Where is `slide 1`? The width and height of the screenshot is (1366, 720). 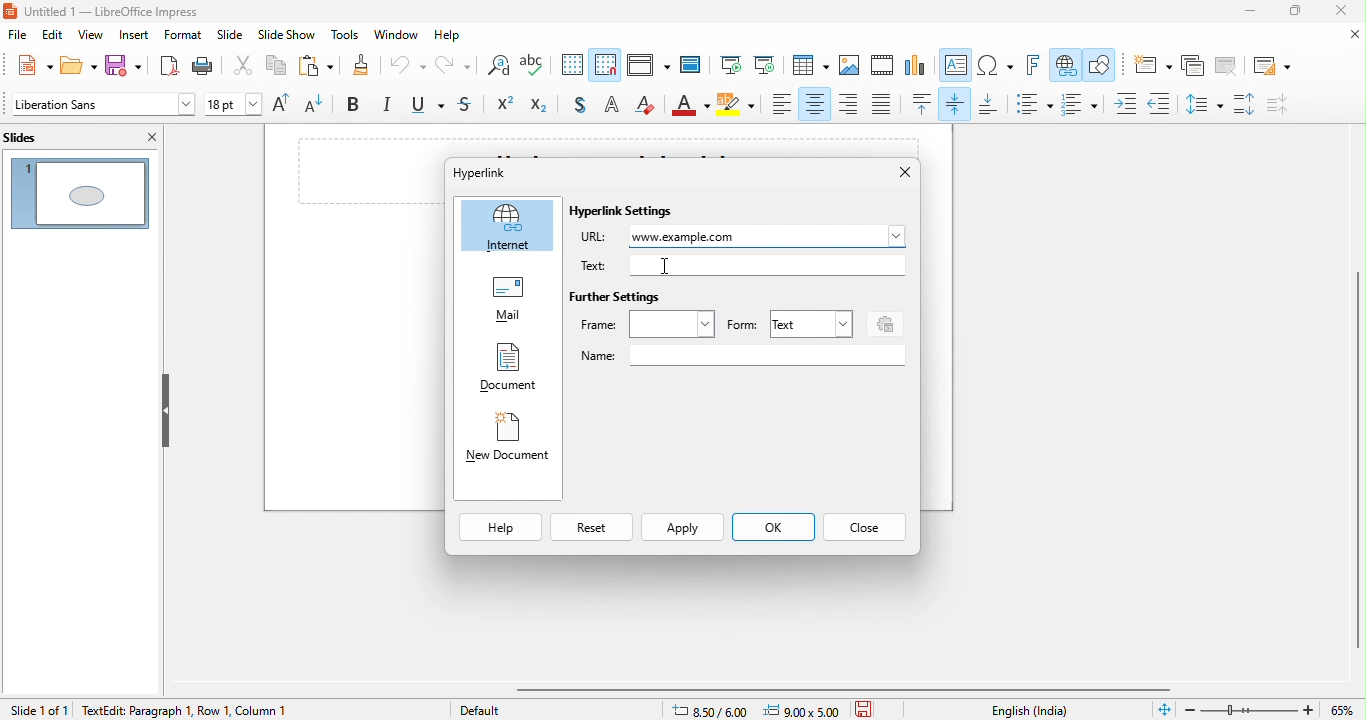
slide 1 is located at coordinates (80, 191).